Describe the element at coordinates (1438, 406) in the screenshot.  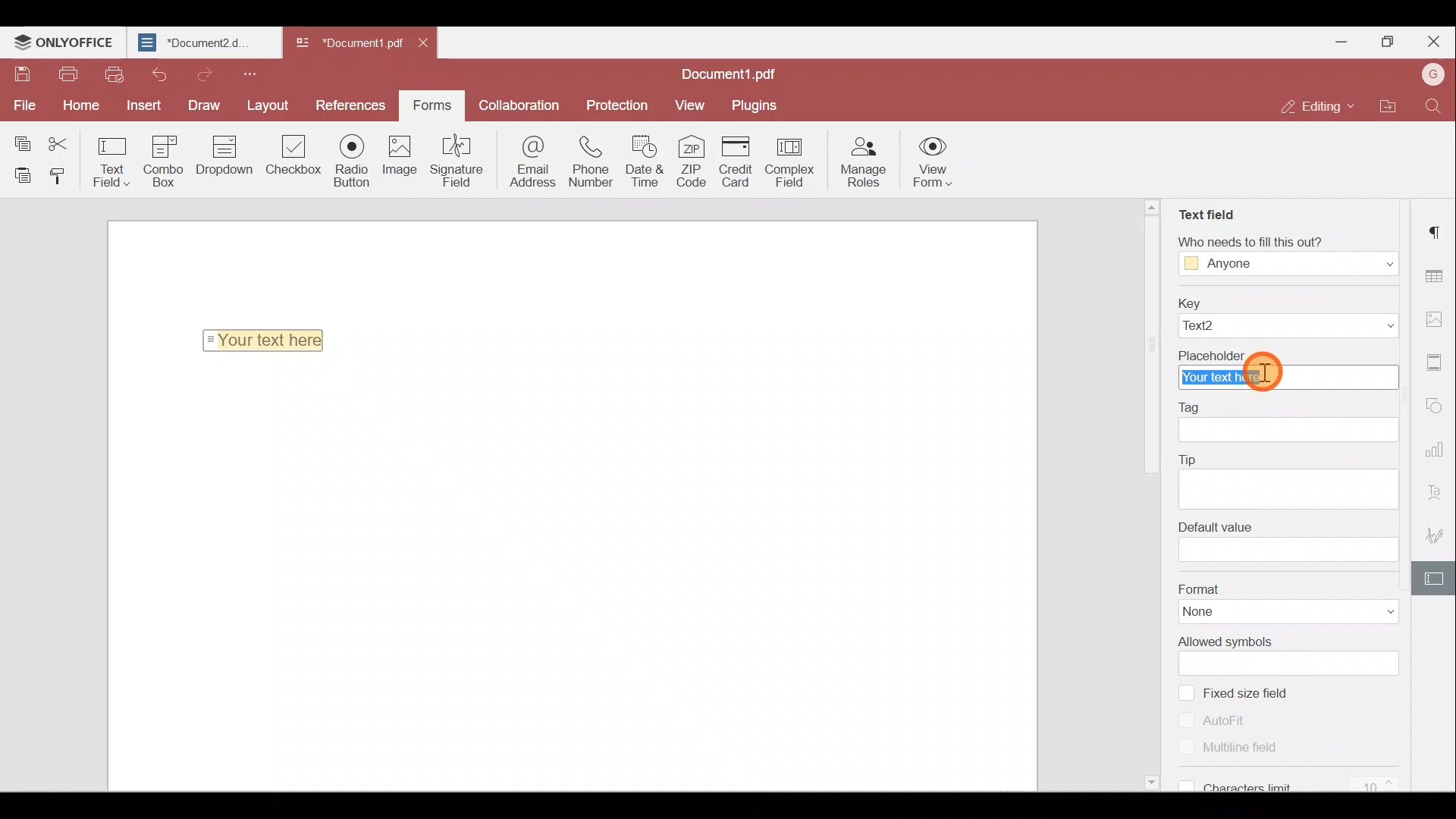
I see `Shapes settings` at that location.